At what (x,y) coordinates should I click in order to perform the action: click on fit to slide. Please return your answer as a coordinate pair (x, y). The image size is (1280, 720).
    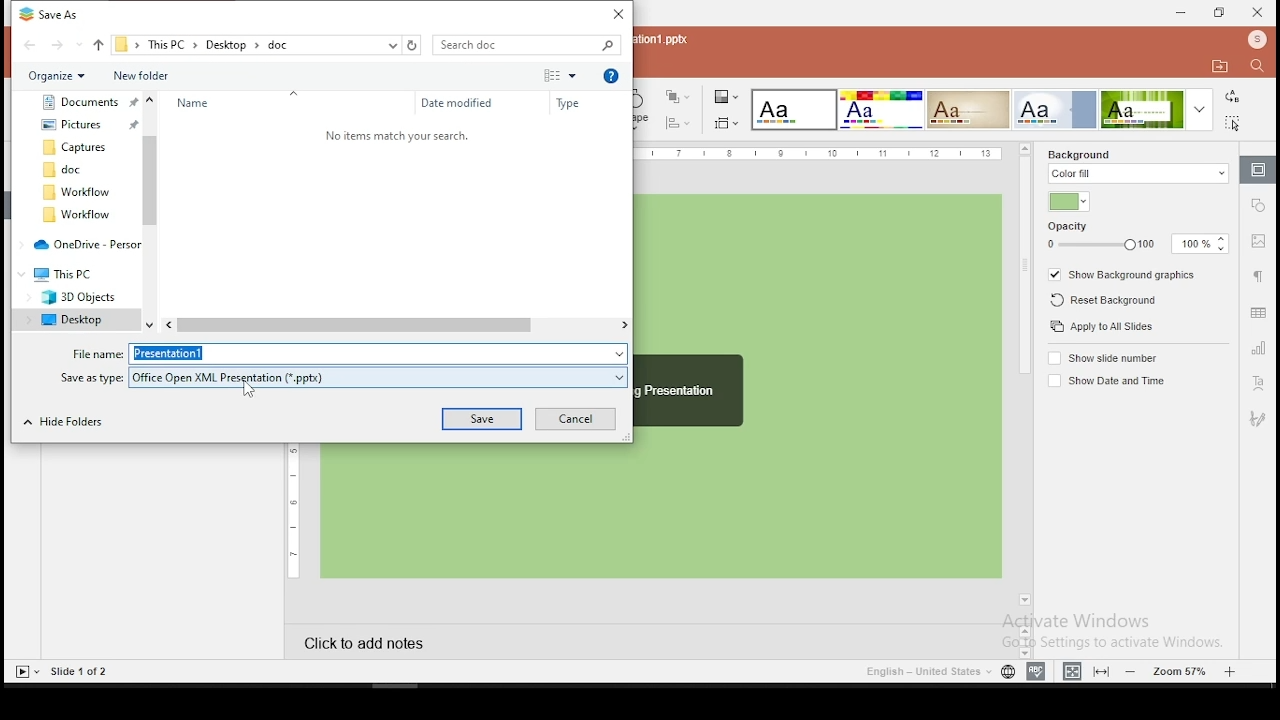
    Looking at the image, I should click on (1072, 669).